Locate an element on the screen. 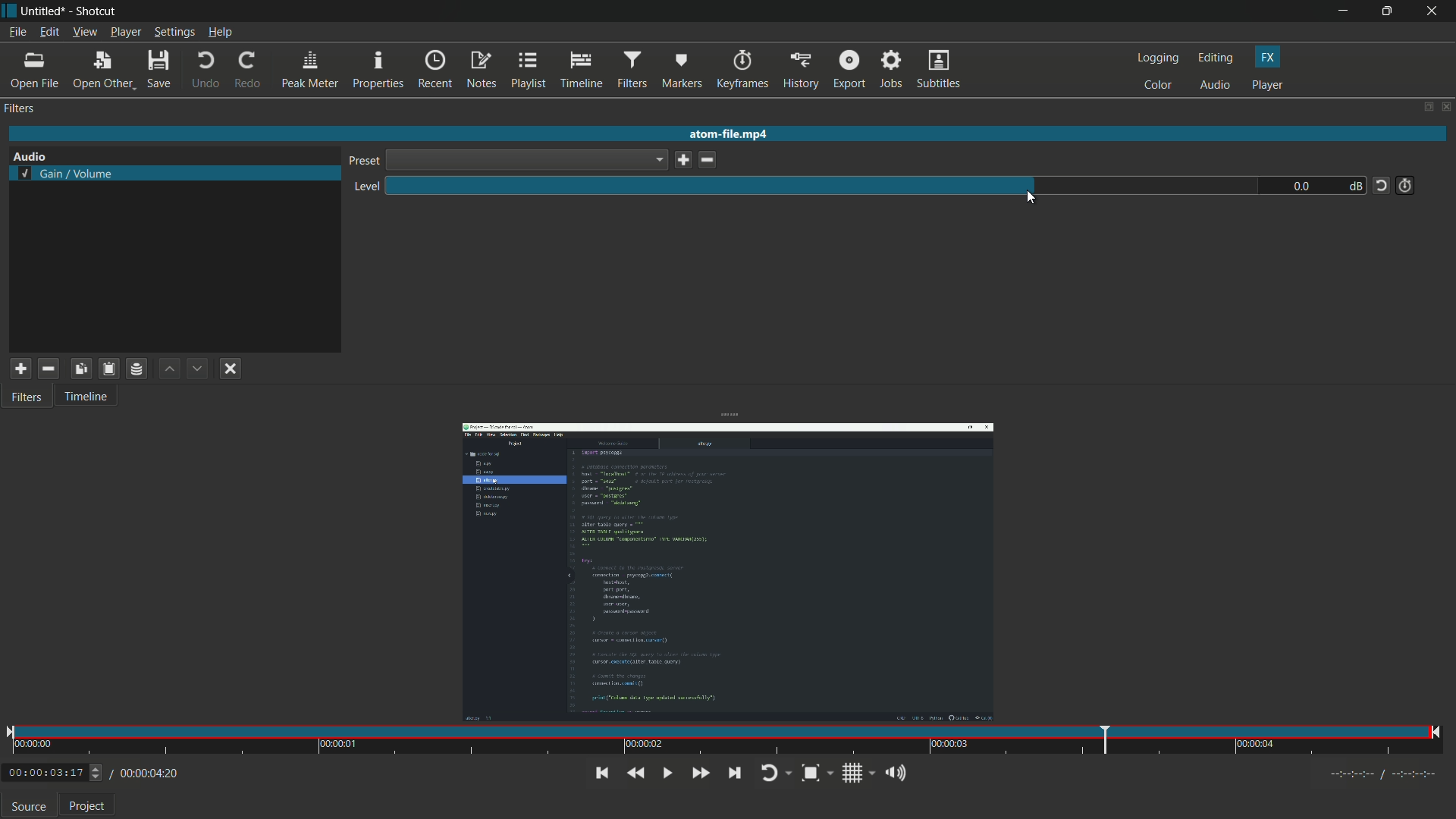  selected gain volume filter is located at coordinates (64, 174).